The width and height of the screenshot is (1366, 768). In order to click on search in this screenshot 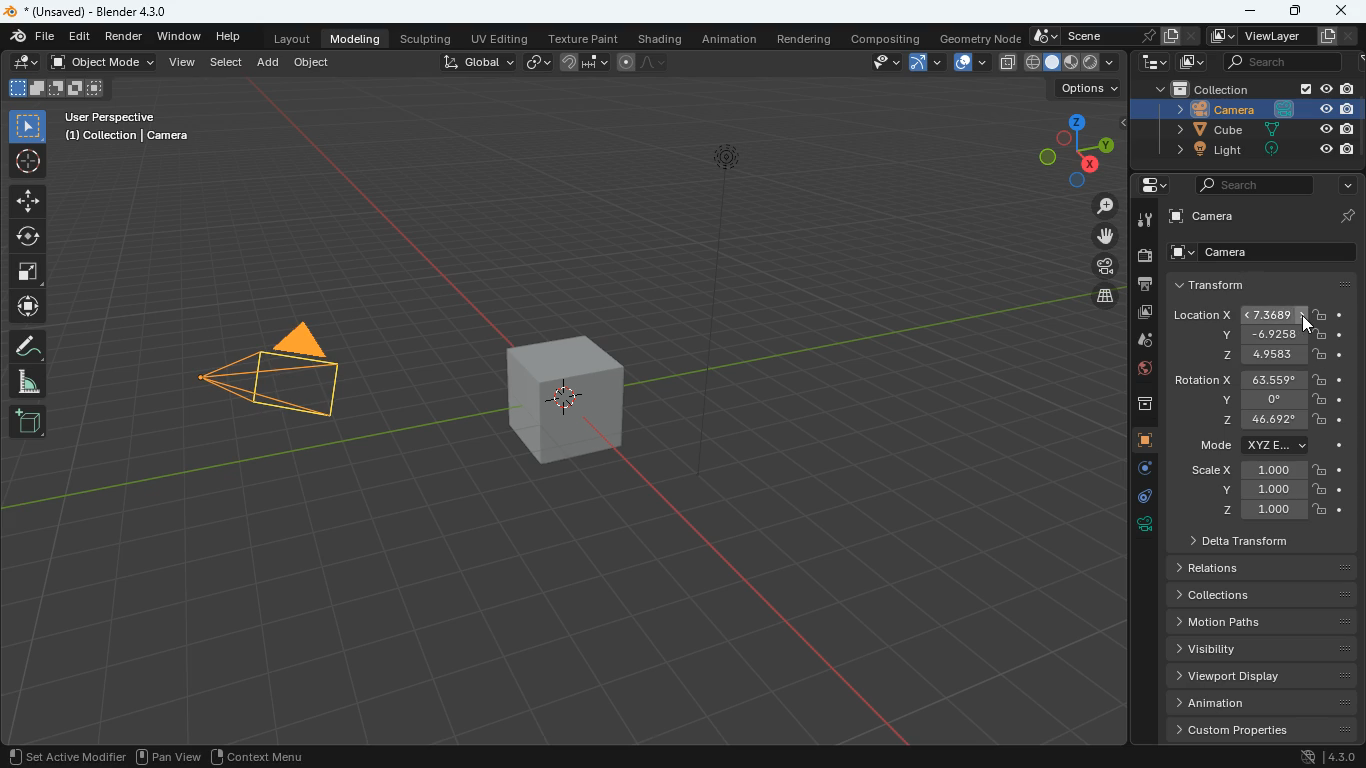, I will do `click(1275, 61)`.